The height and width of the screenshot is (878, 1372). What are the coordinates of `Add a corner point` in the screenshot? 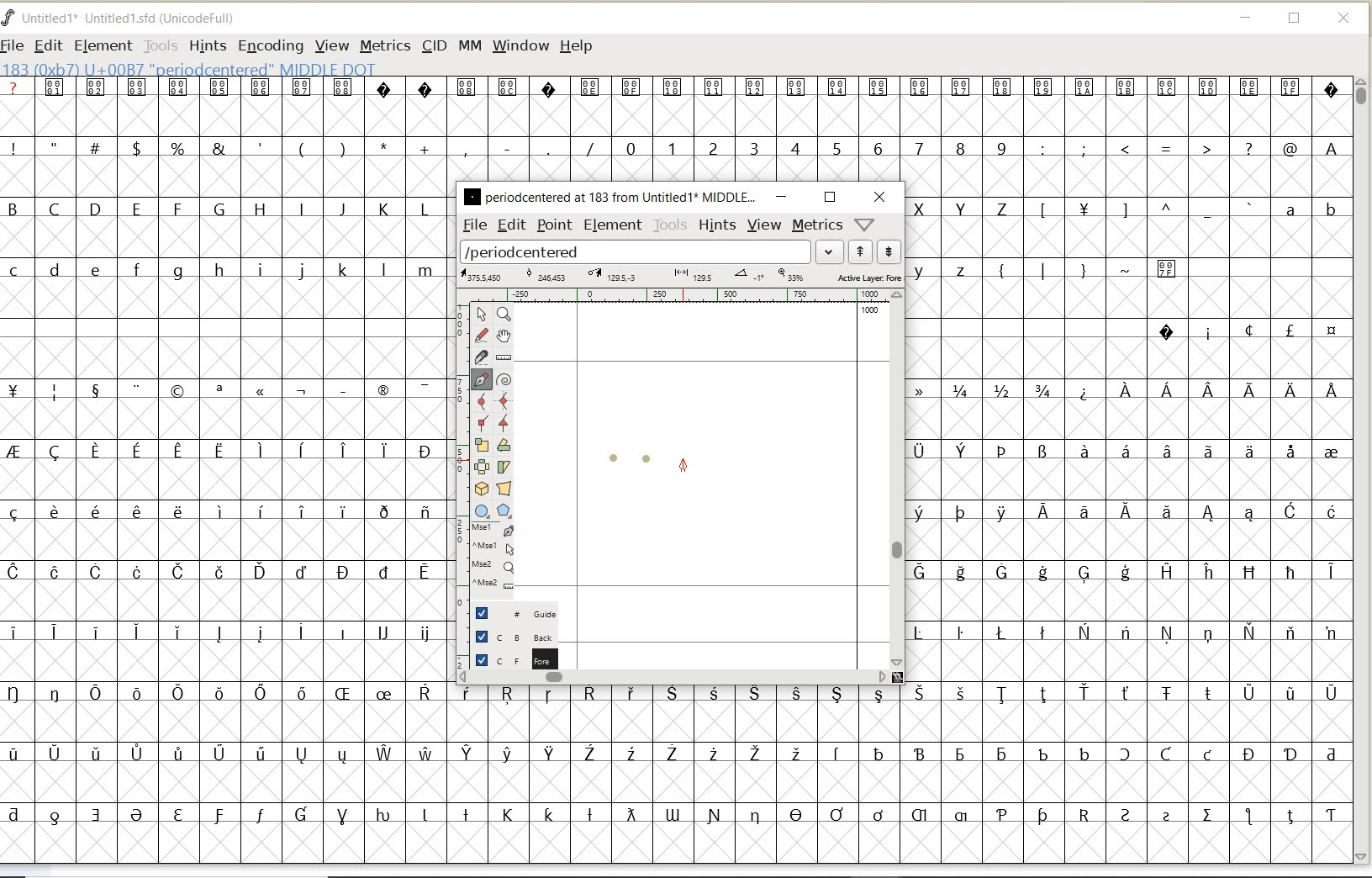 It's located at (504, 421).